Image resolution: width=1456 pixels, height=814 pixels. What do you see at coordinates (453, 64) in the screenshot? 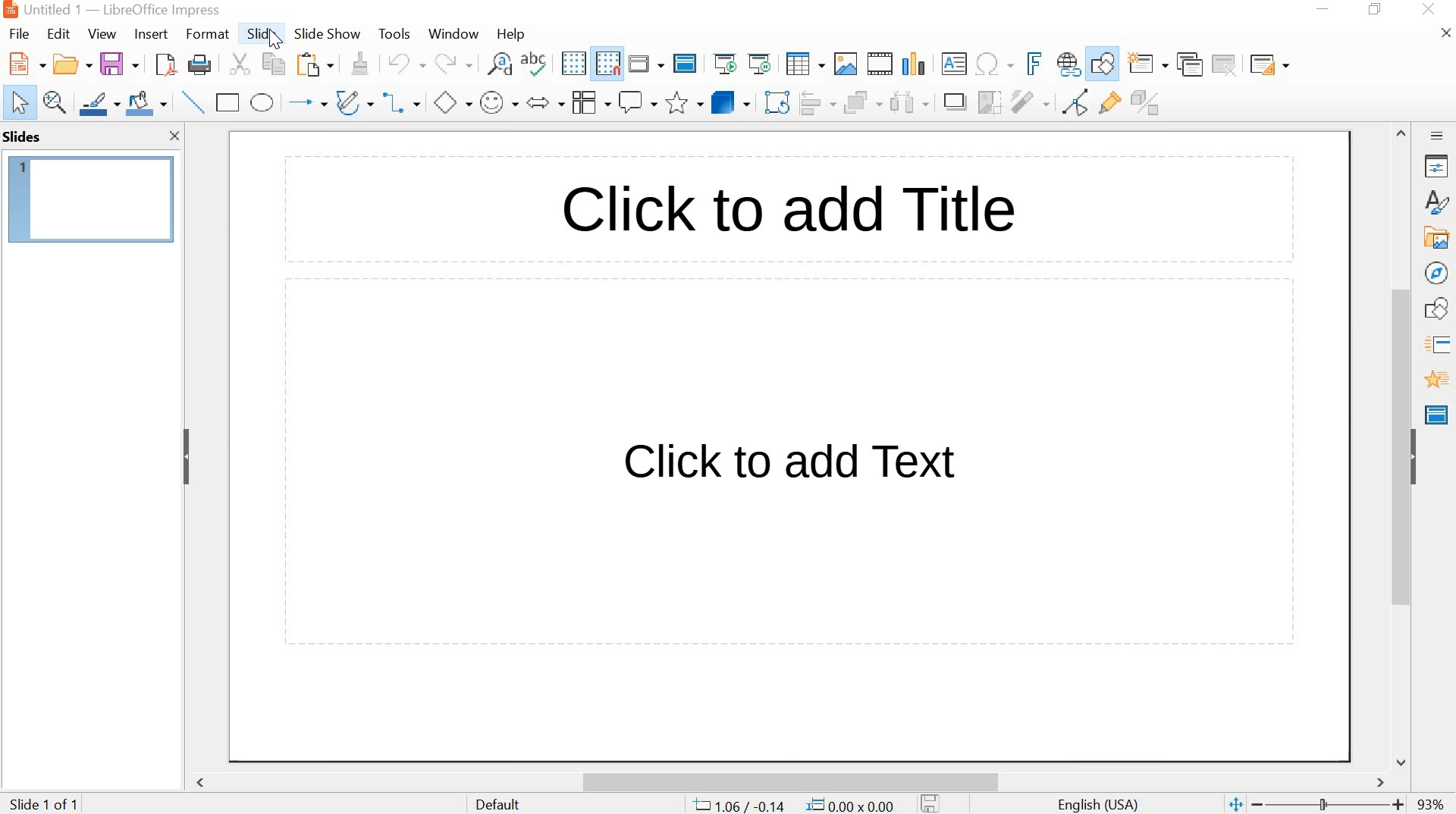
I see `REDO` at bounding box center [453, 64].